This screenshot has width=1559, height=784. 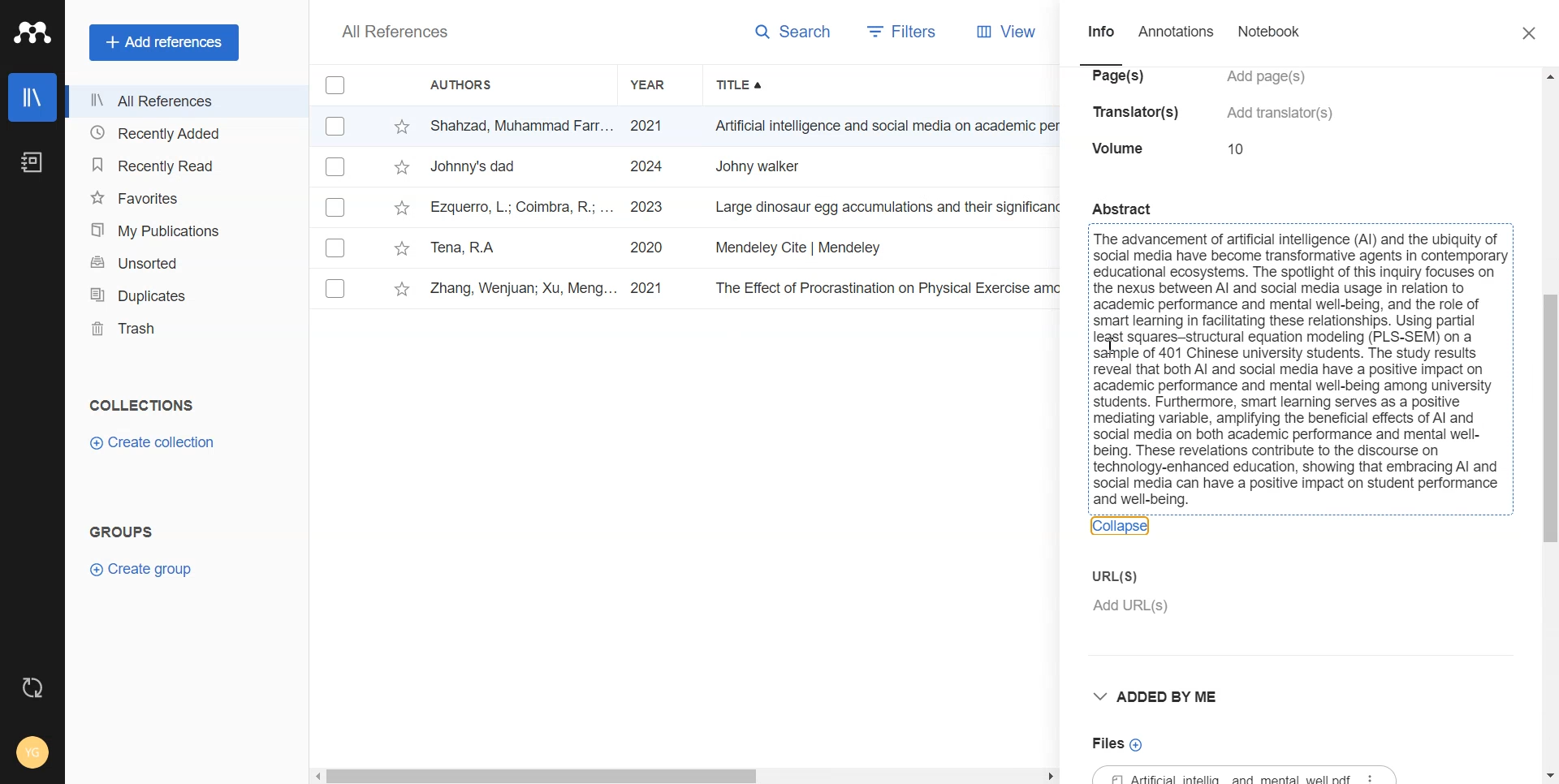 What do you see at coordinates (335, 86) in the screenshot?
I see `Checkmarks` at bounding box center [335, 86].